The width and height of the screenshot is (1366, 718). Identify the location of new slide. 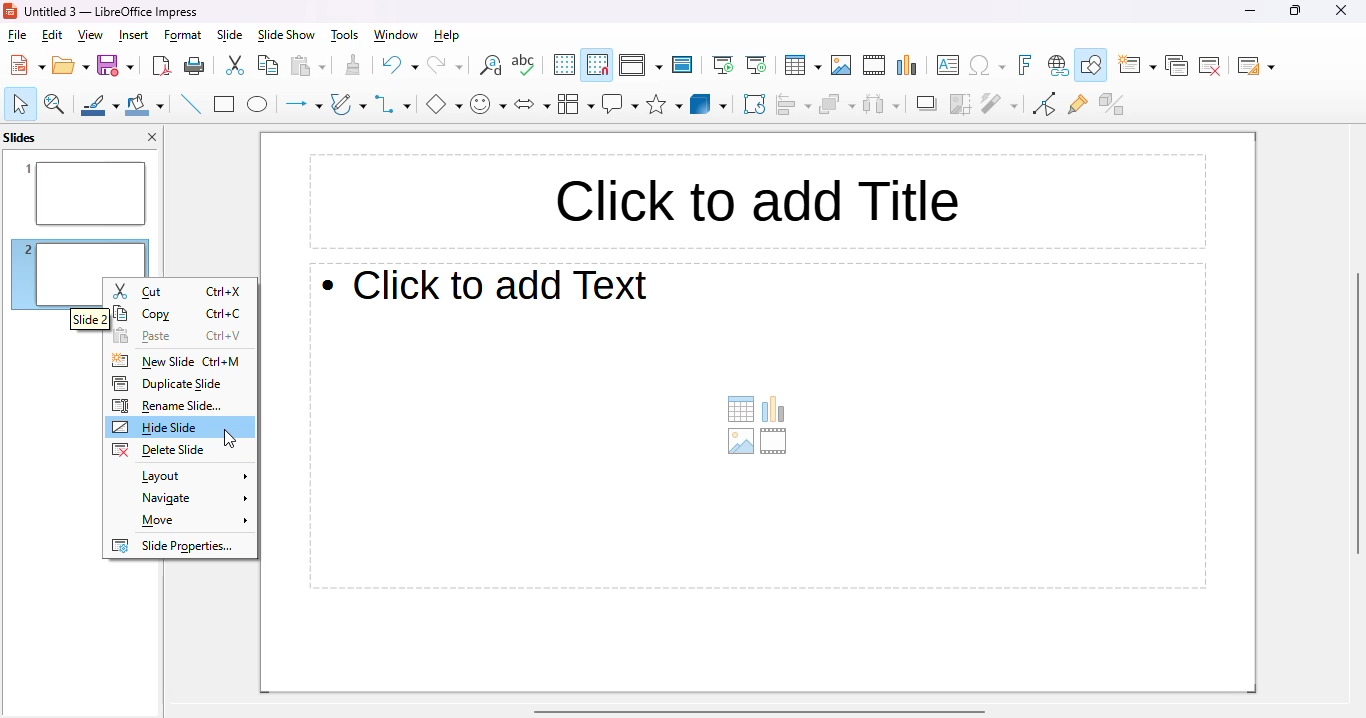
(153, 361).